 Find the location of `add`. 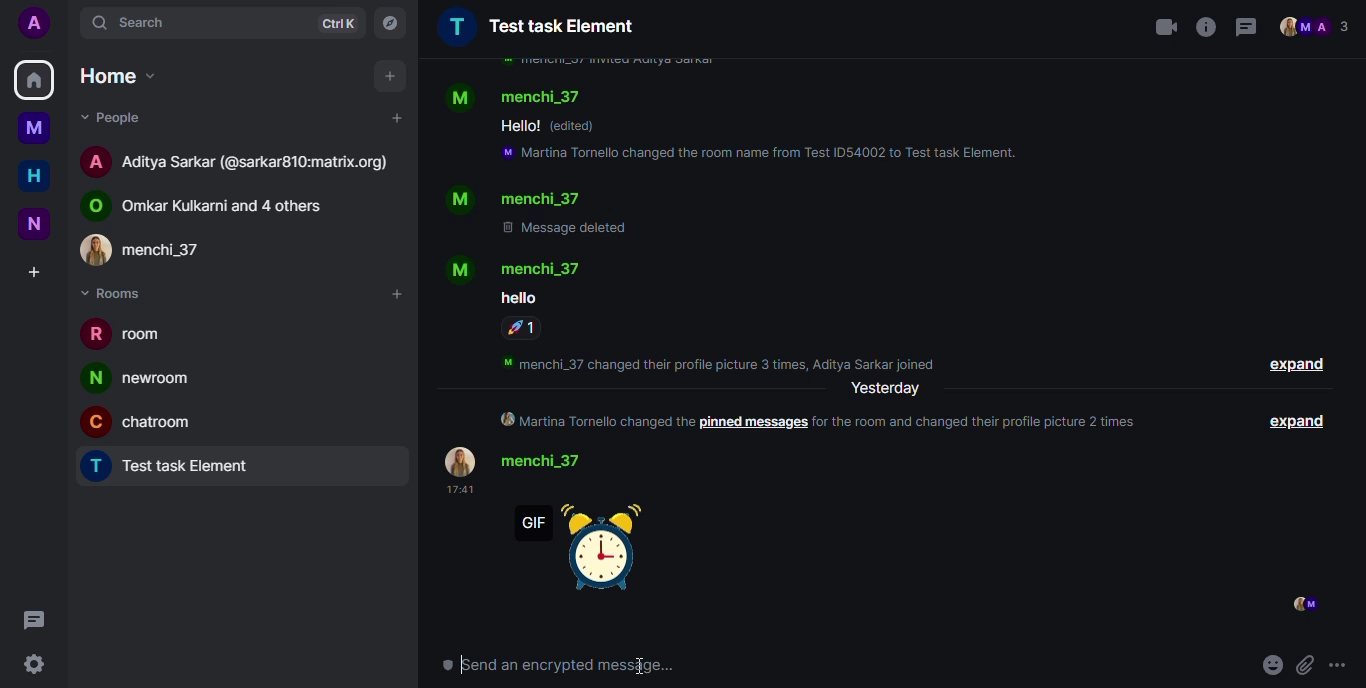

add is located at coordinates (395, 295).